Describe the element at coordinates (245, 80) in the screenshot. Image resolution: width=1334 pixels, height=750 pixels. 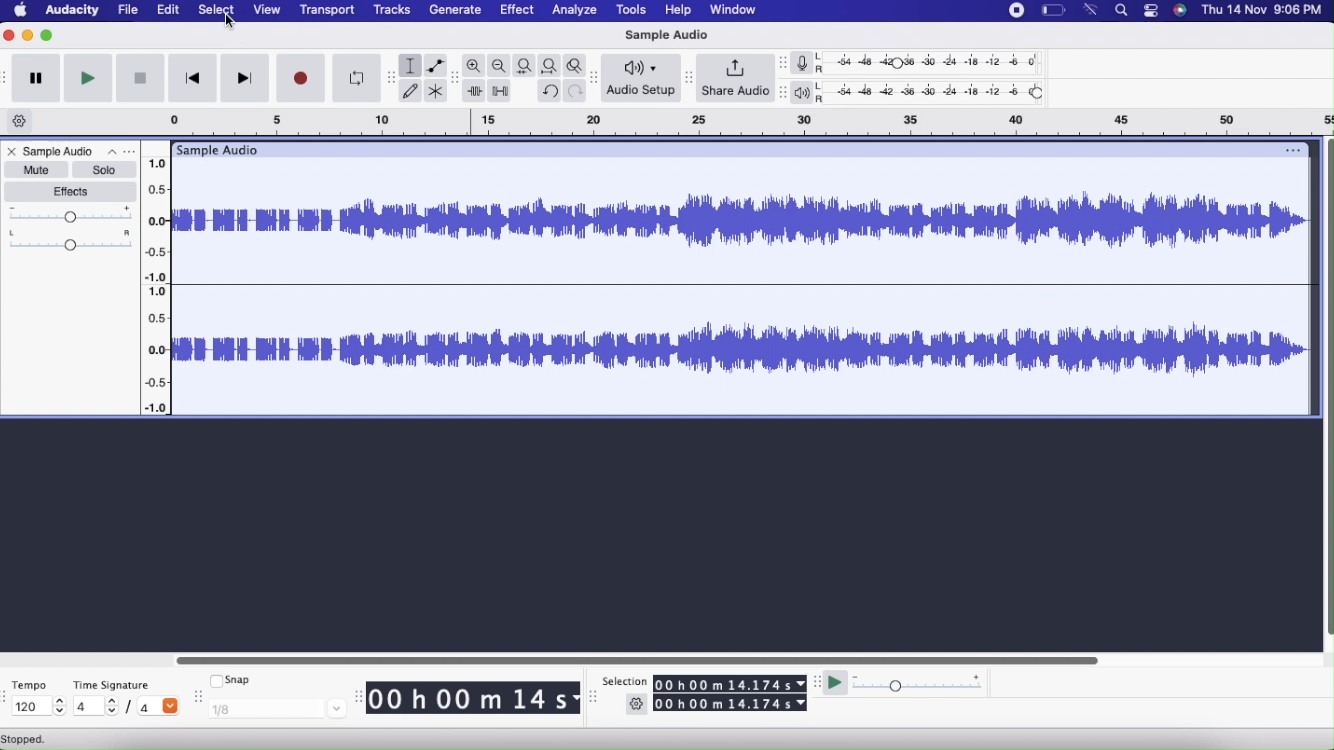
I see `Skip to end` at that location.